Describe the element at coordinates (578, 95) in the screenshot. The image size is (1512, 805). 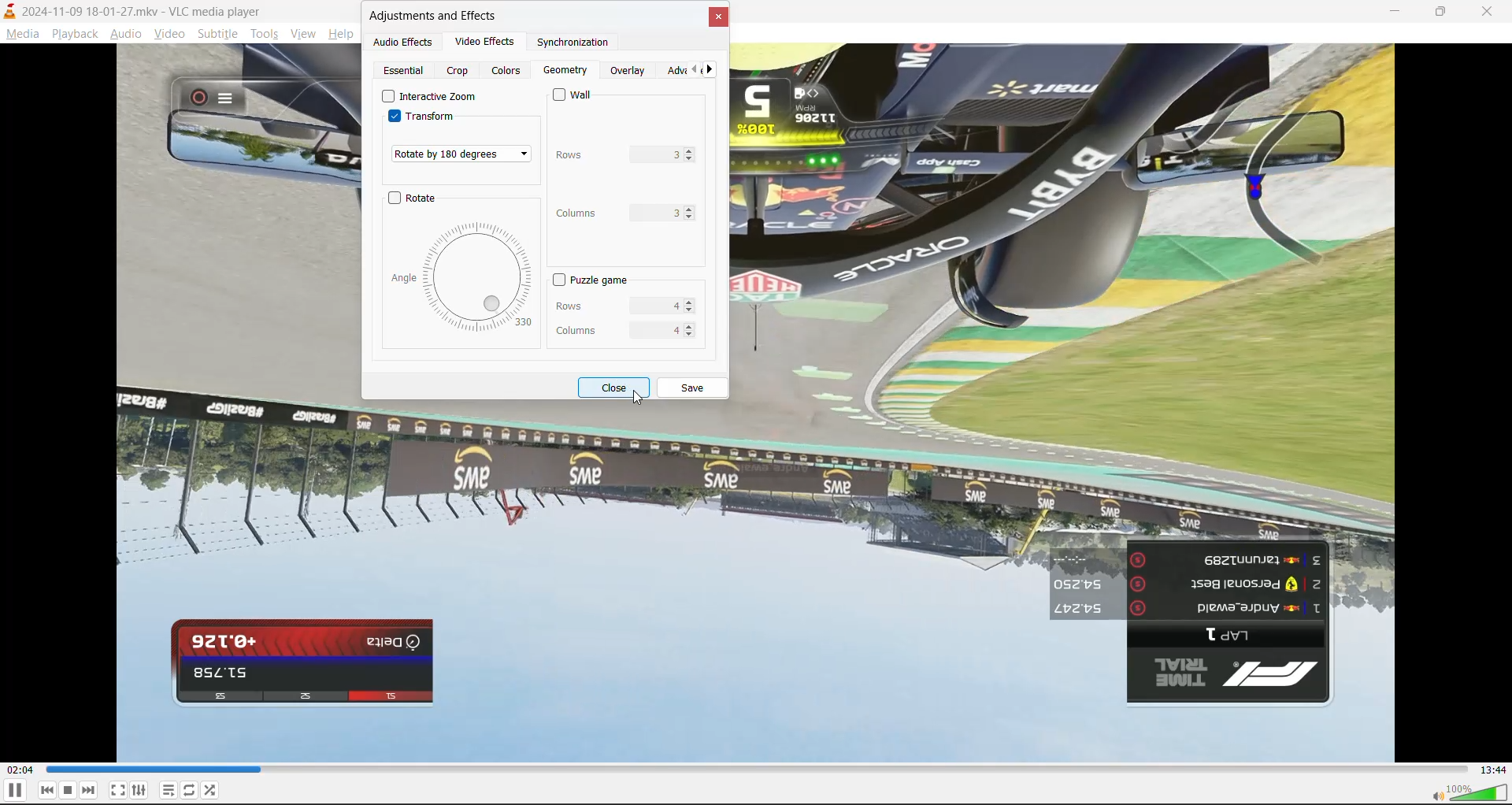
I see `wall` at that location.